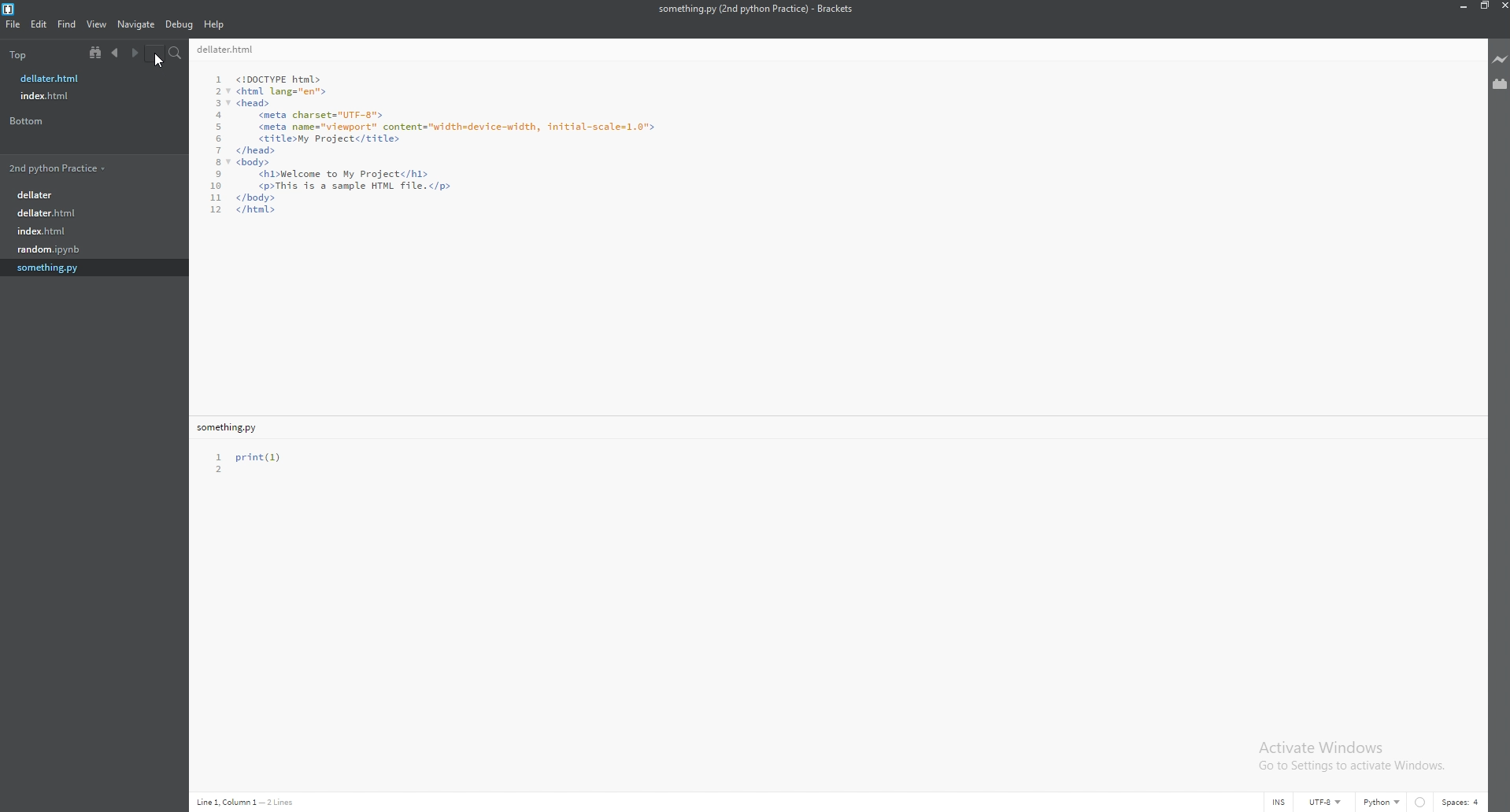 Image resolution: width=1510 pixels, height=812 pixels. I want to click on file, so click(96, 268).